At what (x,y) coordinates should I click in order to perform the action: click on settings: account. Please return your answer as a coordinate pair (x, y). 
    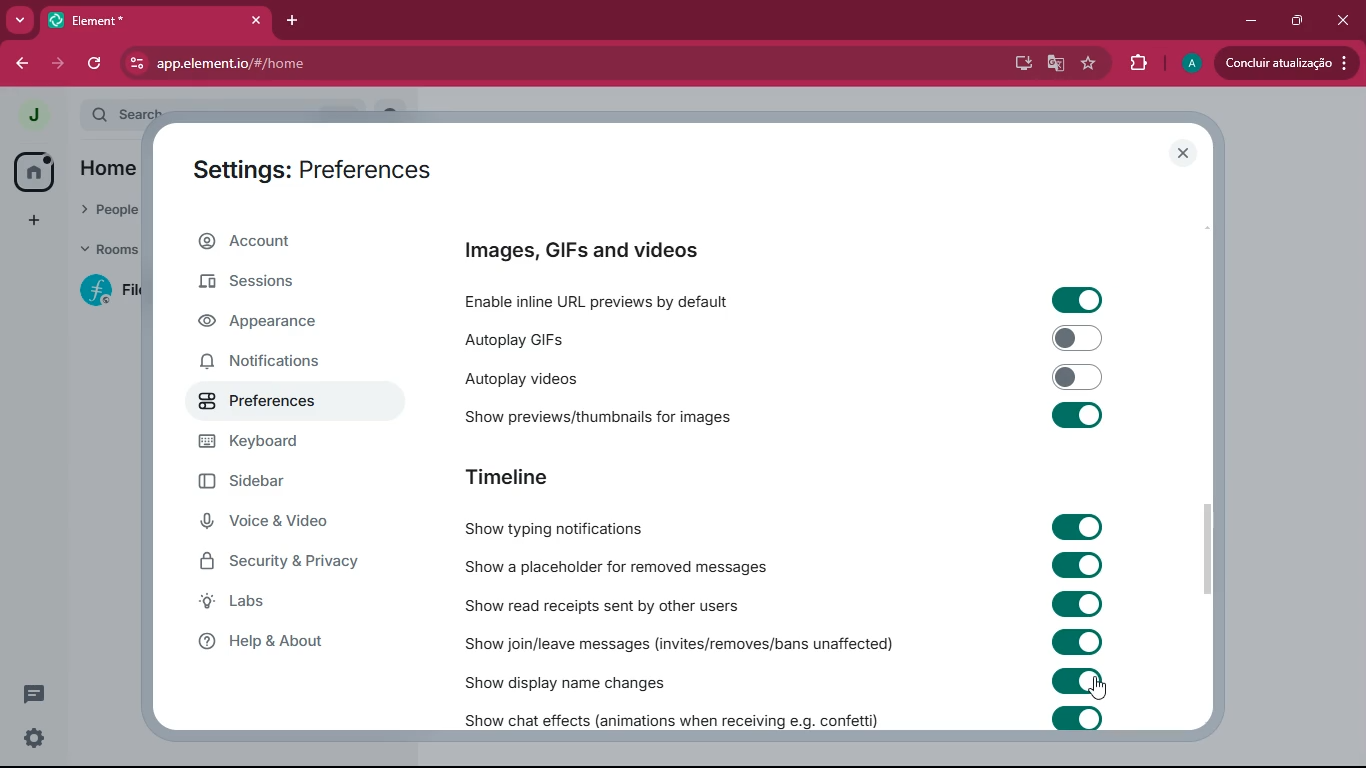
    Looking at the image, I should click on (315, 173).